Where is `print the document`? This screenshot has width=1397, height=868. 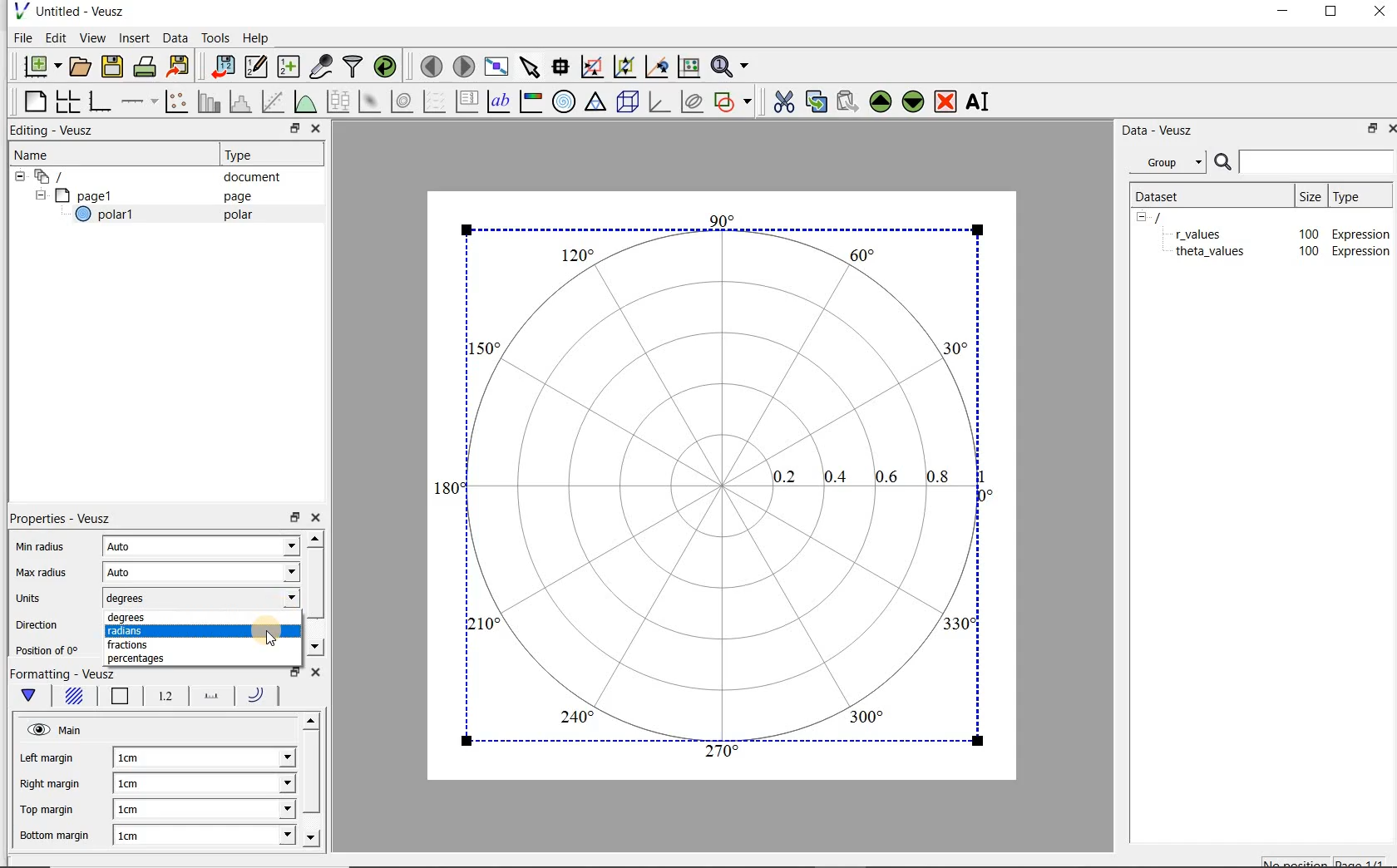
print the document is located at coordinates (148, 66).